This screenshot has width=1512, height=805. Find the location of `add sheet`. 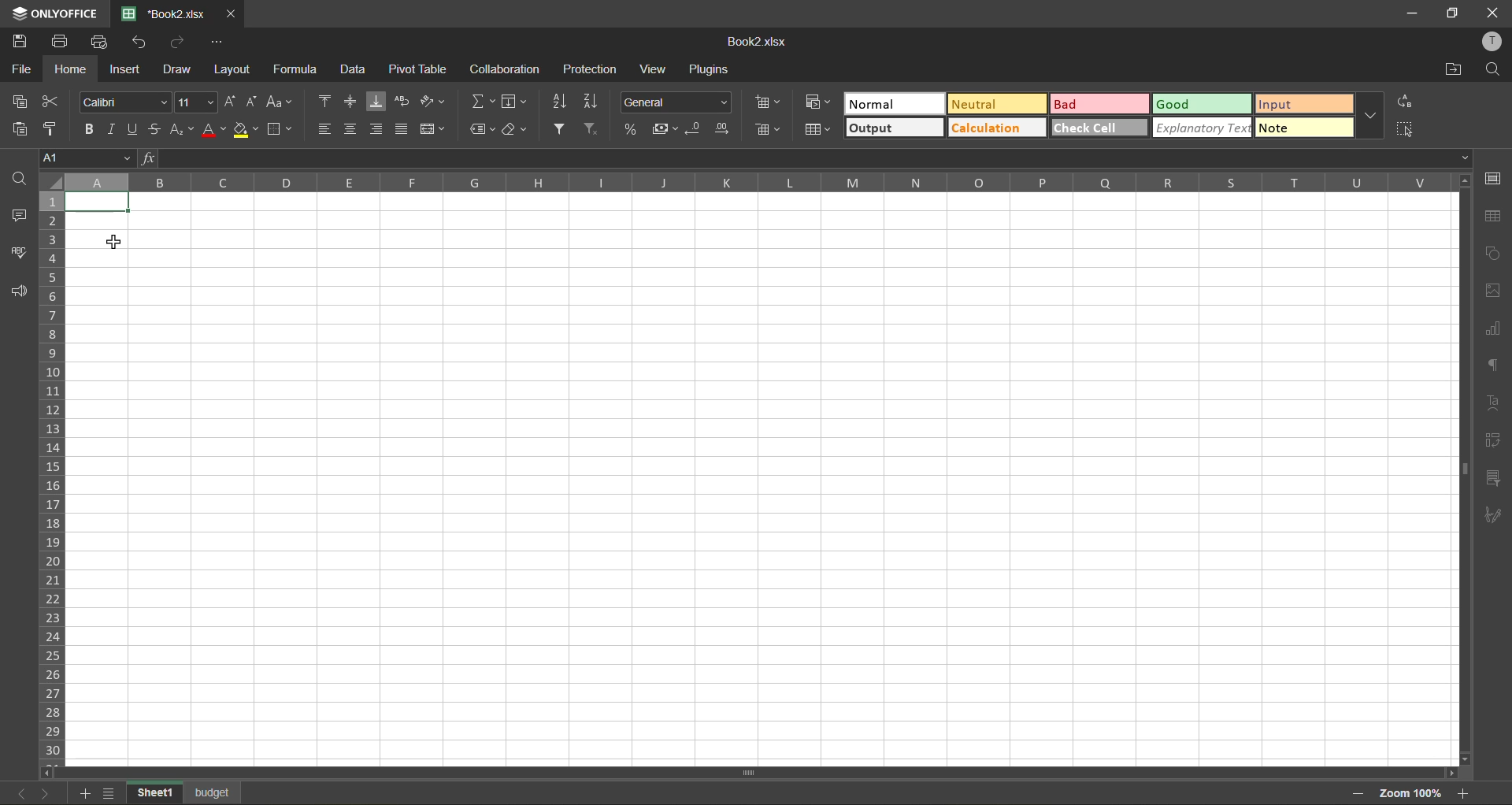

add sheet is located at coordinates (84, 793).